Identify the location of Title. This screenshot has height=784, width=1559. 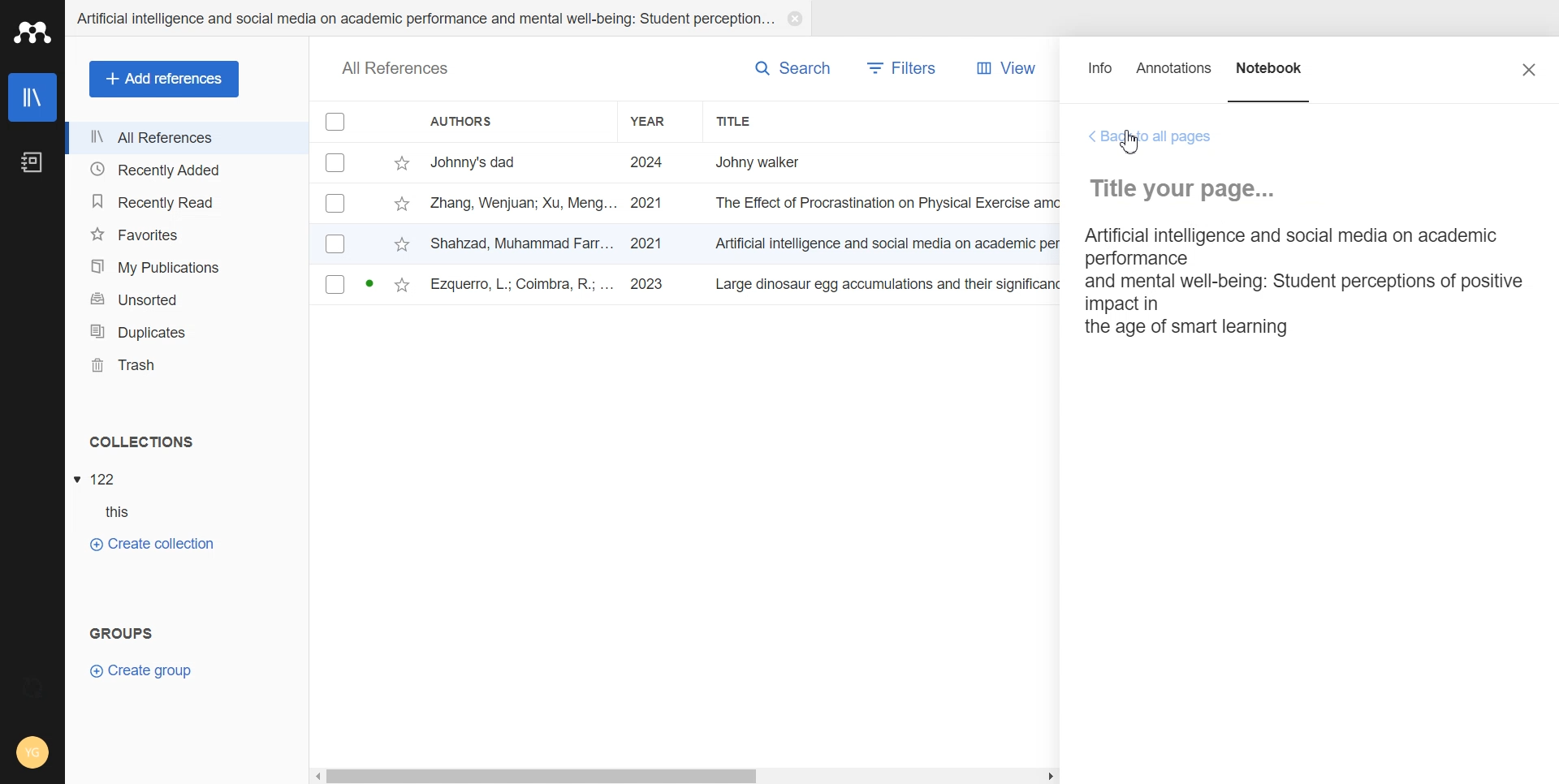
(767, 121).